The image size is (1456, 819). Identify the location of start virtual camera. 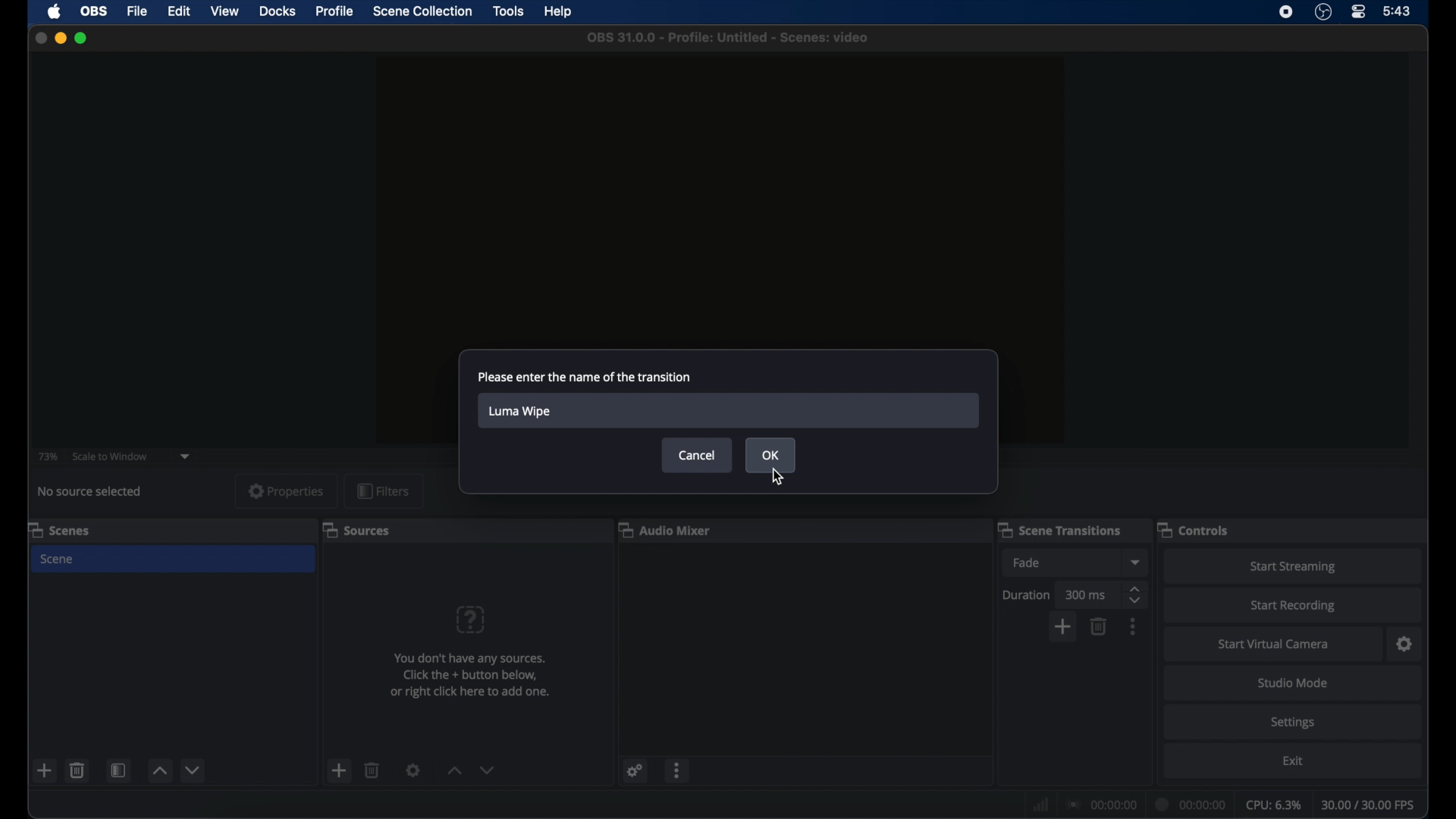
(1273, 644).